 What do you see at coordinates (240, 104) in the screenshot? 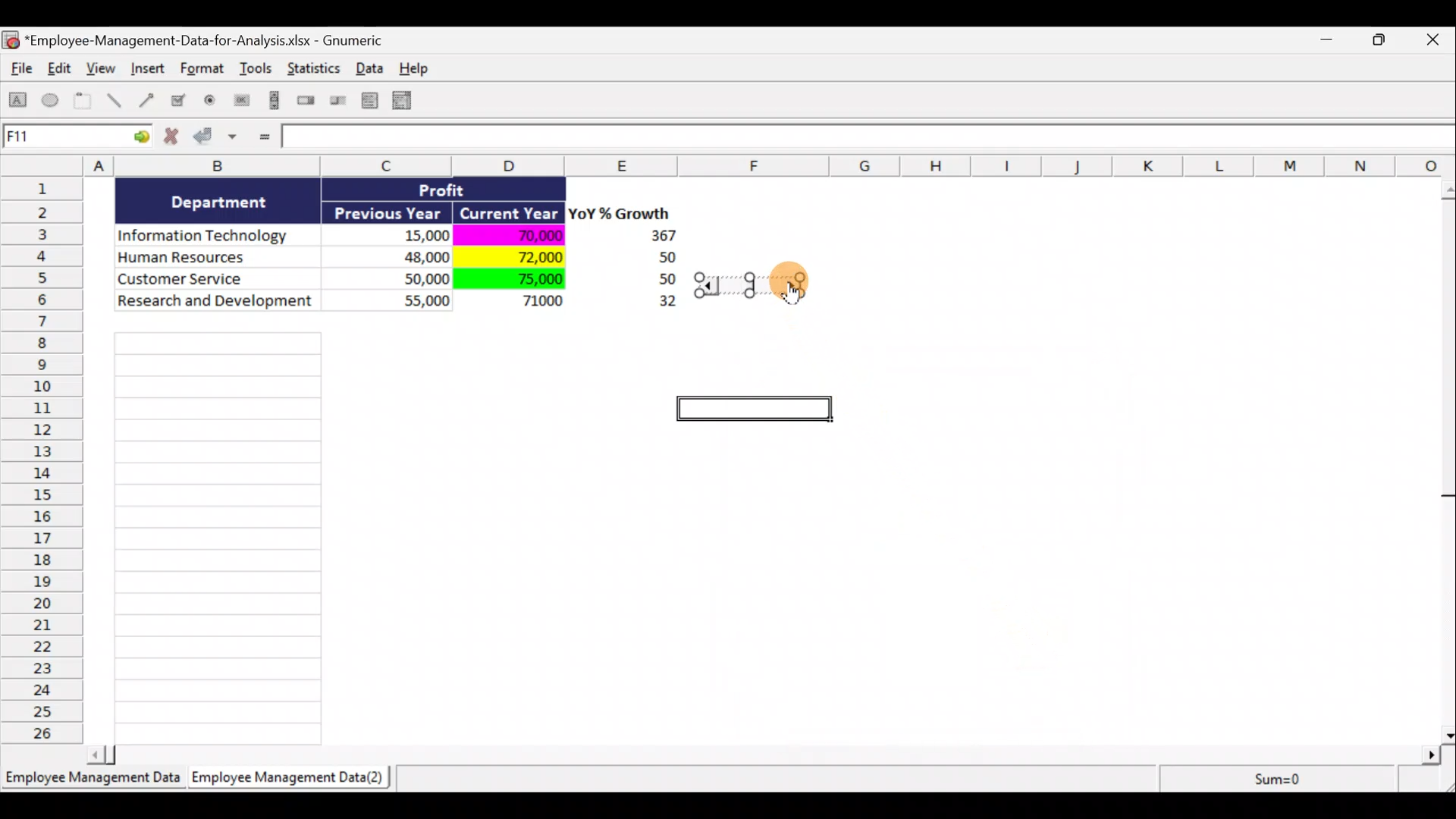
I see `Create a button` at bounding box center [240, 104].